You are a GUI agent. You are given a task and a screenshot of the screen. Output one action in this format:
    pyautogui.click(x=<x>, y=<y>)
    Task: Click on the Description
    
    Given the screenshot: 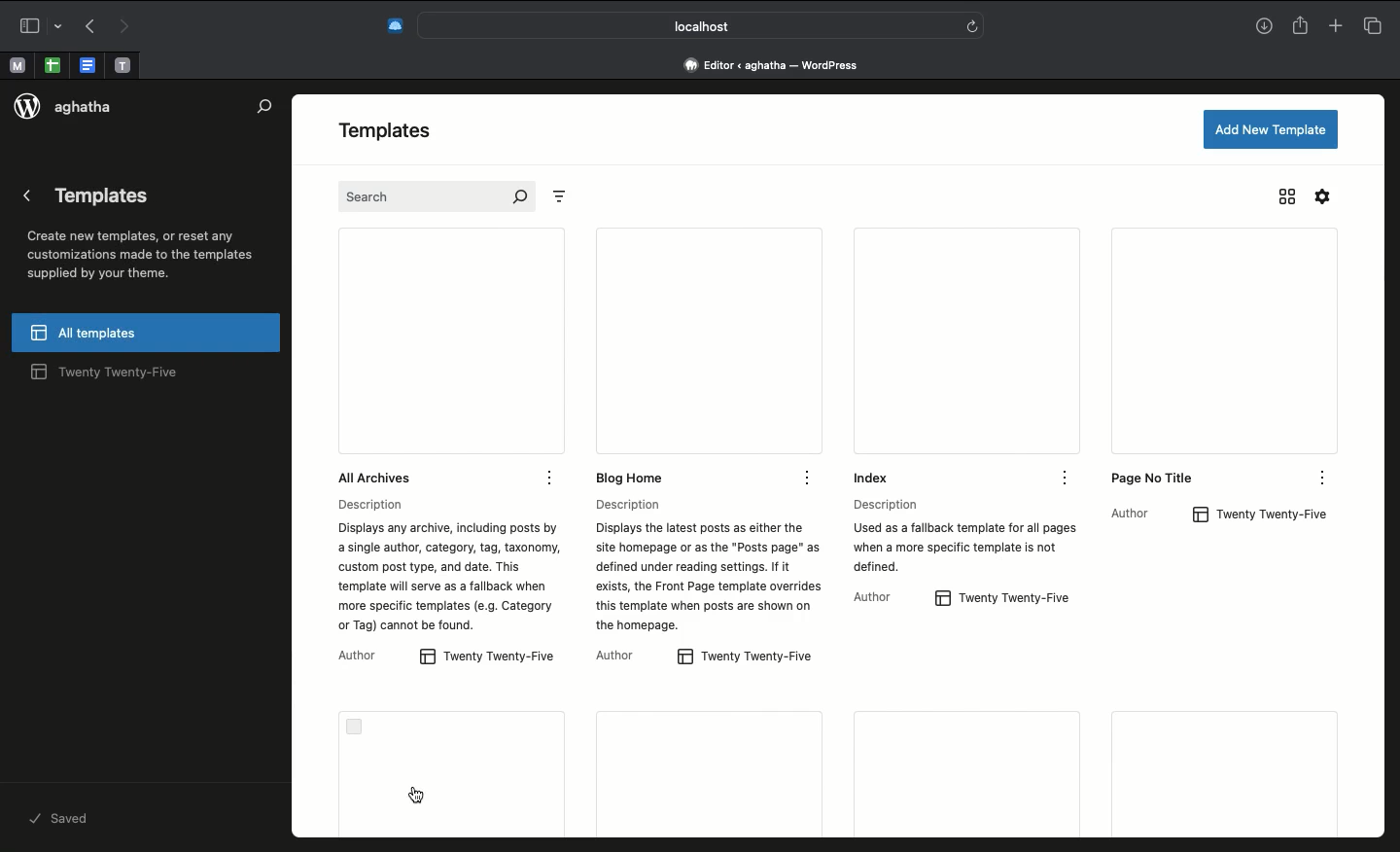 What is the action you would take?
    pyautogui.click(x=965, y=536)
    